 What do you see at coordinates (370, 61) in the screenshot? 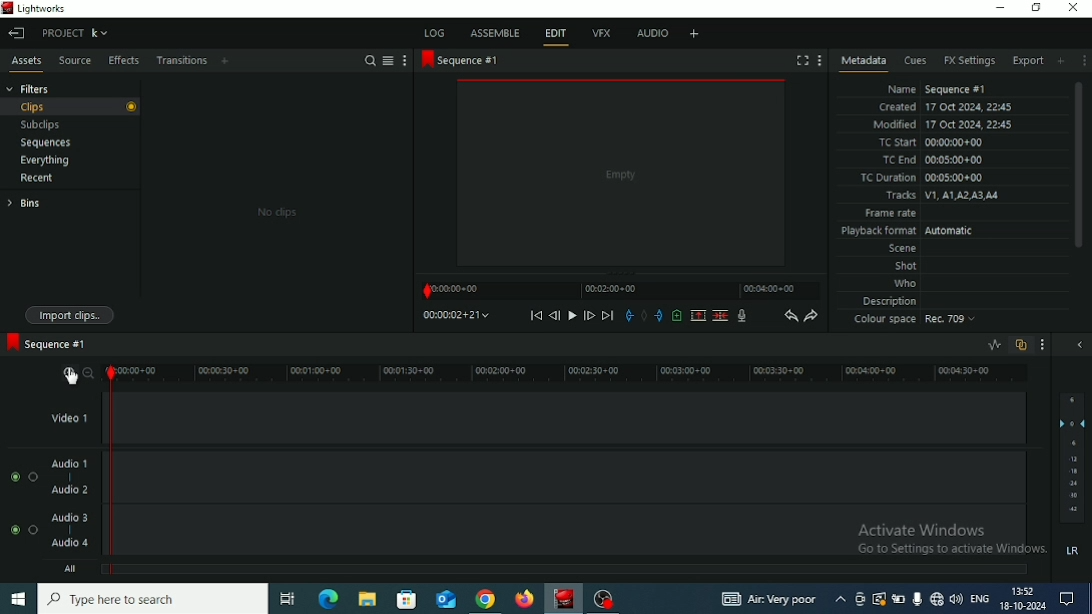
I see `Search for assets or bins` at bounding box center [370, 61].